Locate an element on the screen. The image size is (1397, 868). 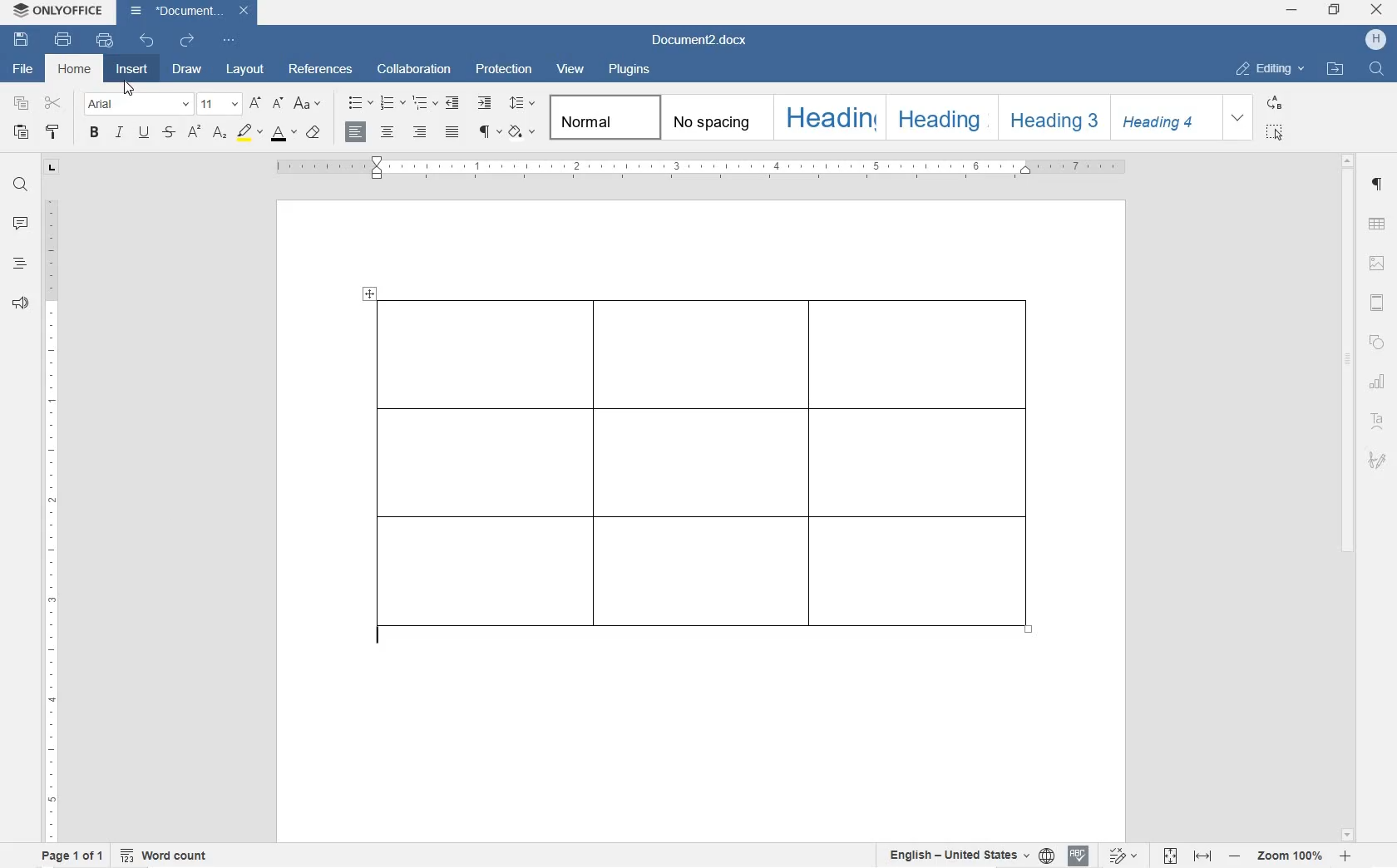
find is located at coordinates (22, 186).